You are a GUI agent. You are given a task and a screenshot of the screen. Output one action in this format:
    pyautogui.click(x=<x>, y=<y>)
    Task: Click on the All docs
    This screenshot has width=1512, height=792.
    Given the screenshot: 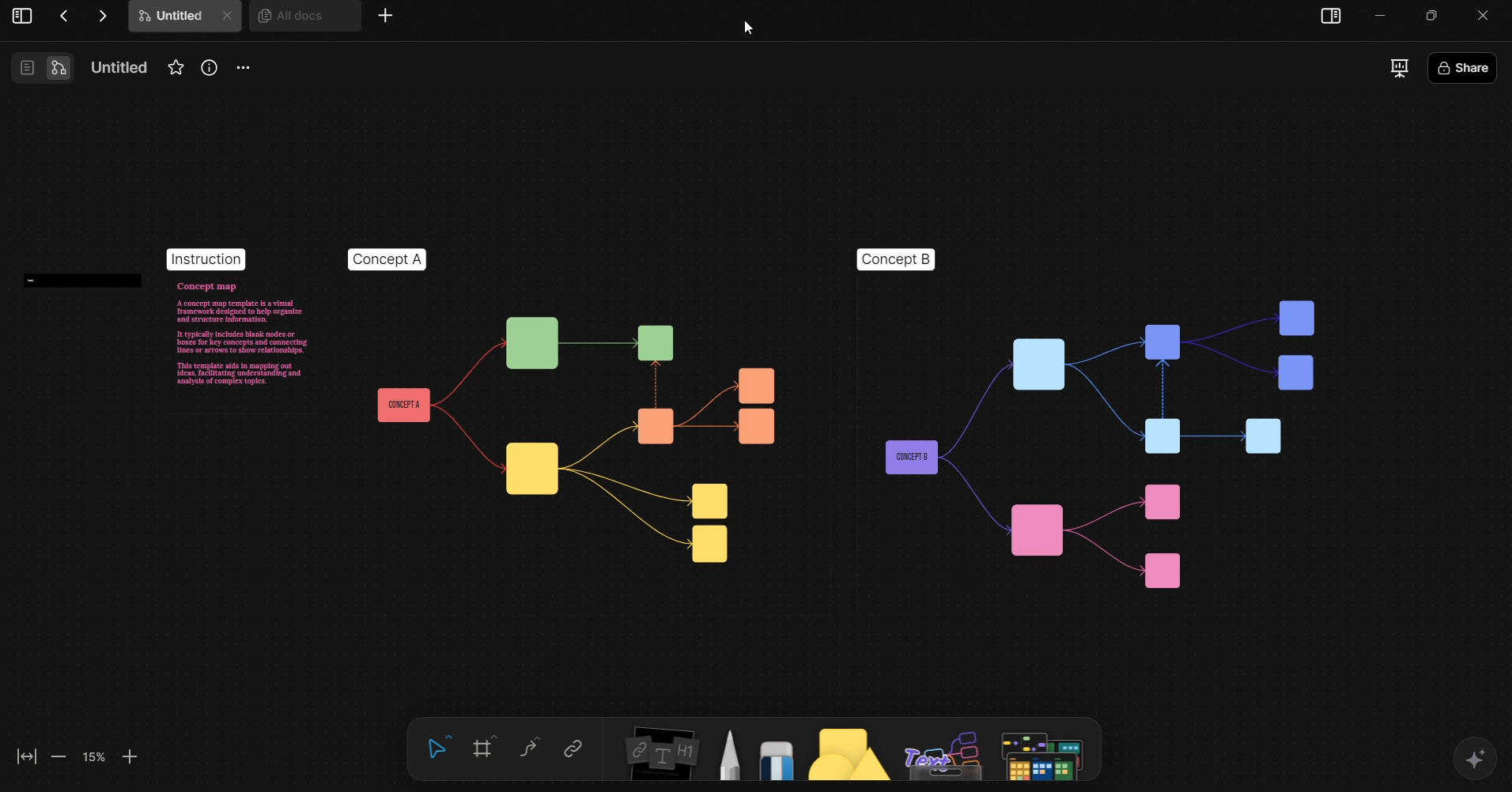 What is the action you would take?
    pyautogui.click(x=302, y=23)
    